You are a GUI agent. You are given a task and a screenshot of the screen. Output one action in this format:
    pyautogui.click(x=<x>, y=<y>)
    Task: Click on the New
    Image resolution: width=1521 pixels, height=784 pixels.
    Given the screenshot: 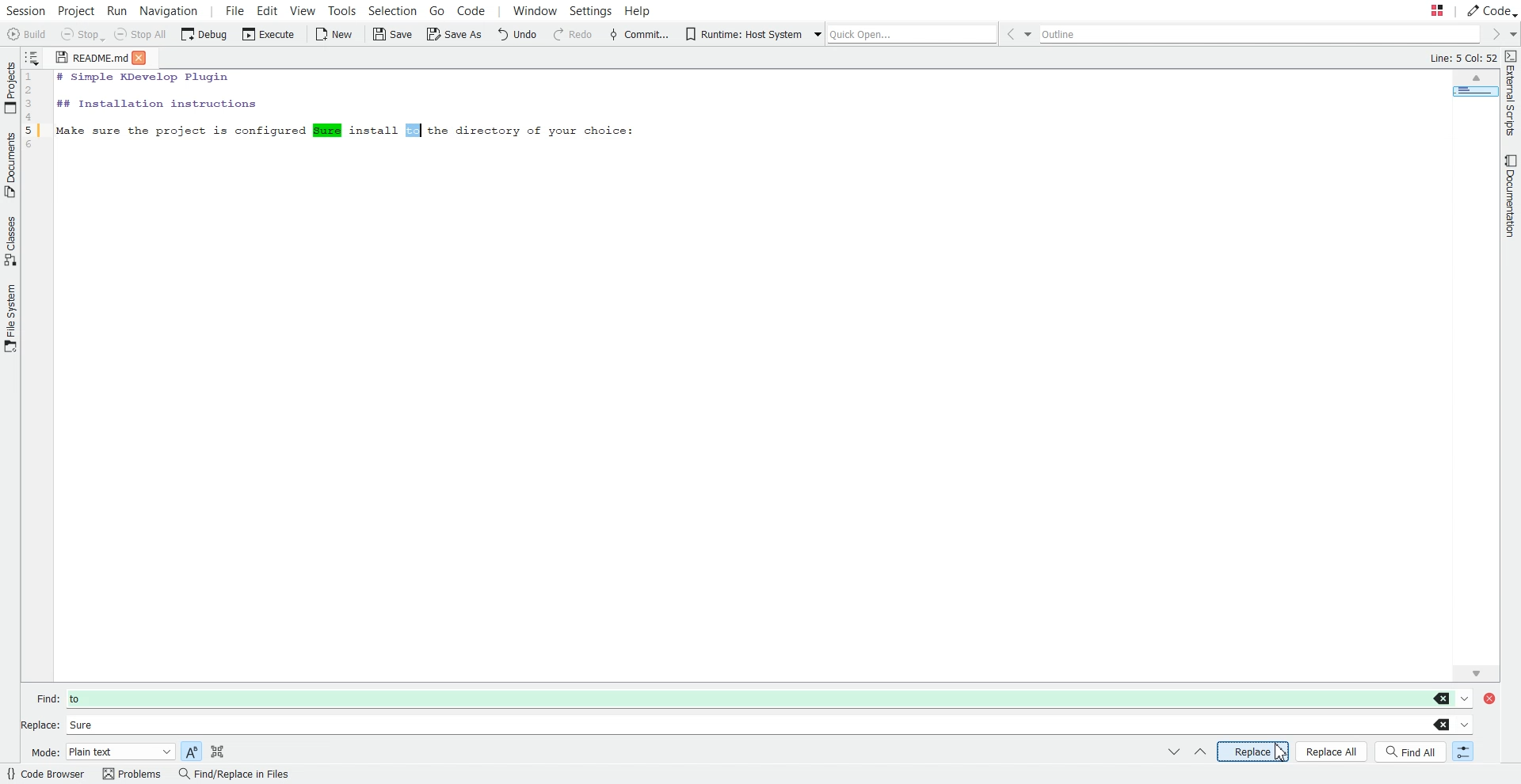 What is the action you would take?
    pyautogui.click(x=335, y=34)
    